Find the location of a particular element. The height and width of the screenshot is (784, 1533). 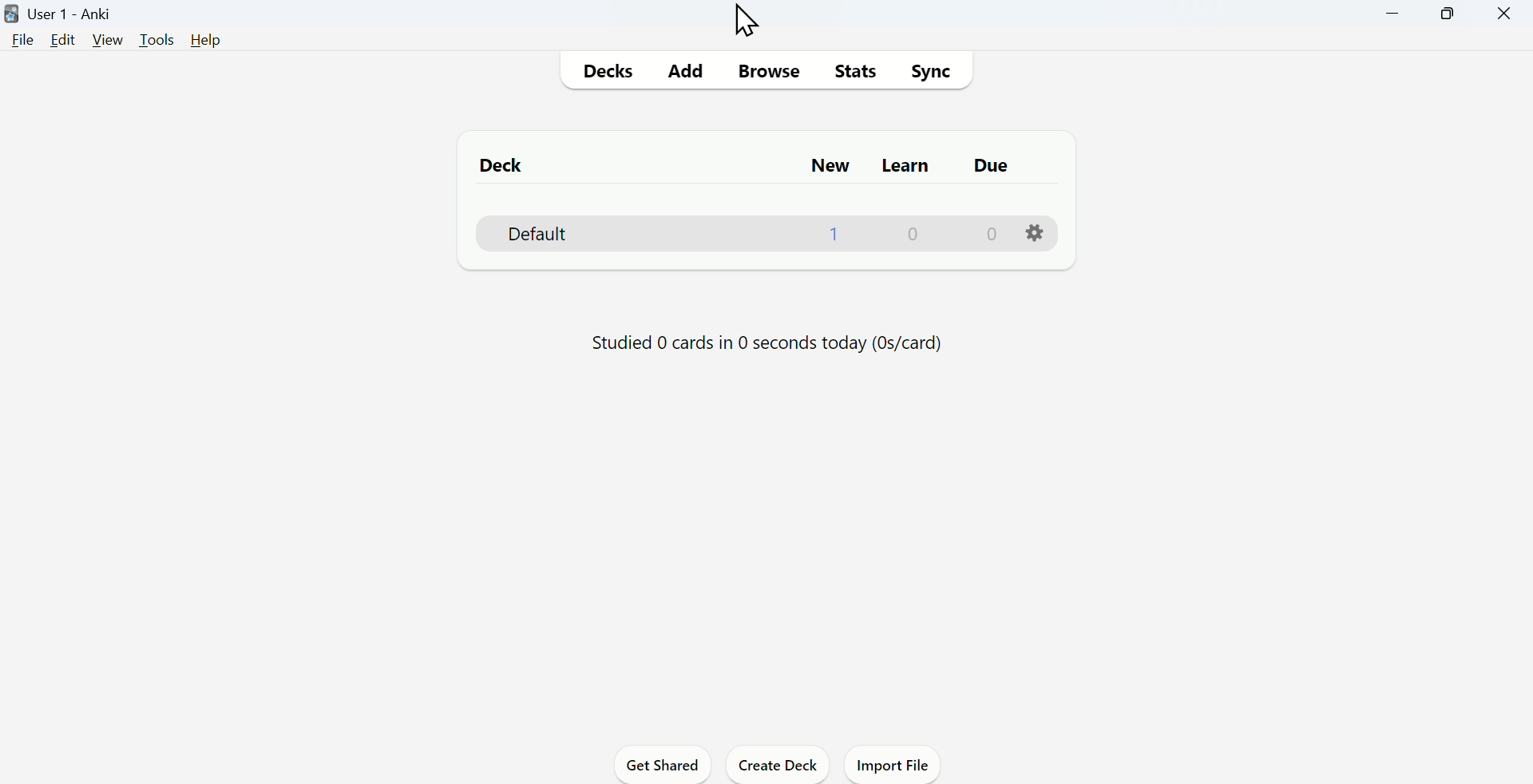

Minimize is located at coordinates (1393, 12).